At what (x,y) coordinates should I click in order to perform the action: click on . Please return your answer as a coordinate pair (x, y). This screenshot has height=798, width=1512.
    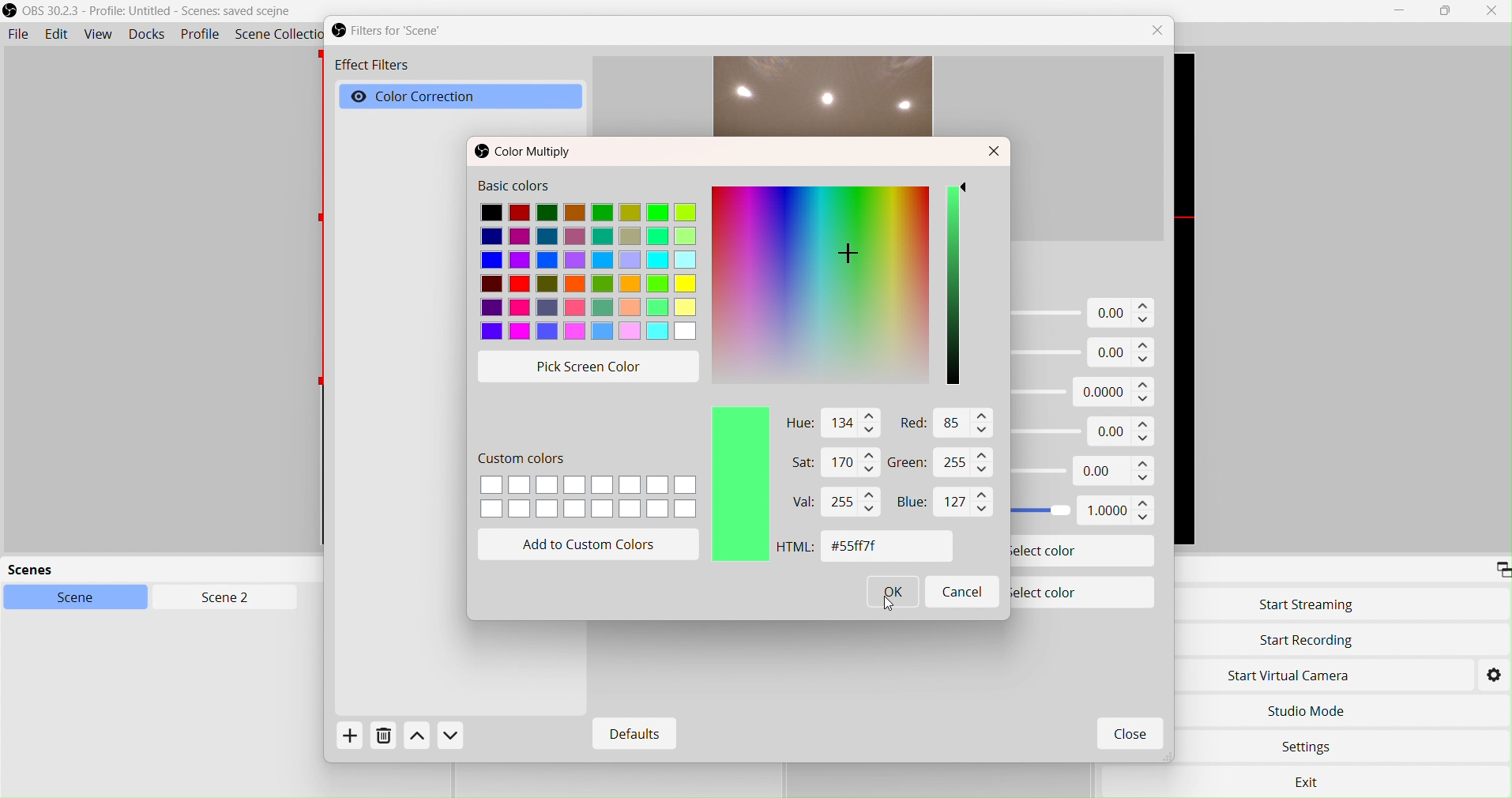
    Looking at the image, I should click on (180, 11).